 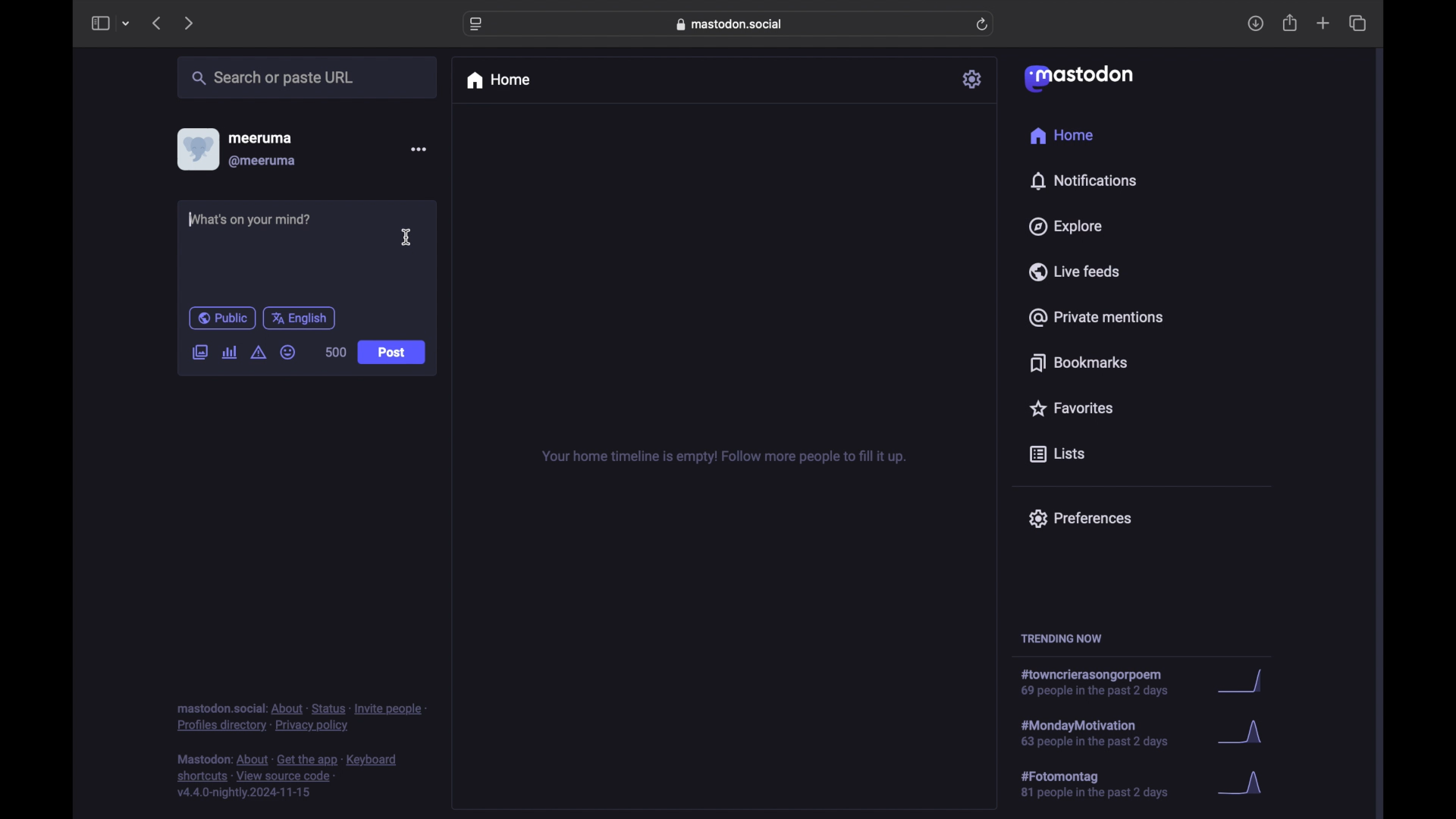 What do you see at coordinates (302, 717) in the screenshot?
I see `footnote` at bounding box center [302, 717].